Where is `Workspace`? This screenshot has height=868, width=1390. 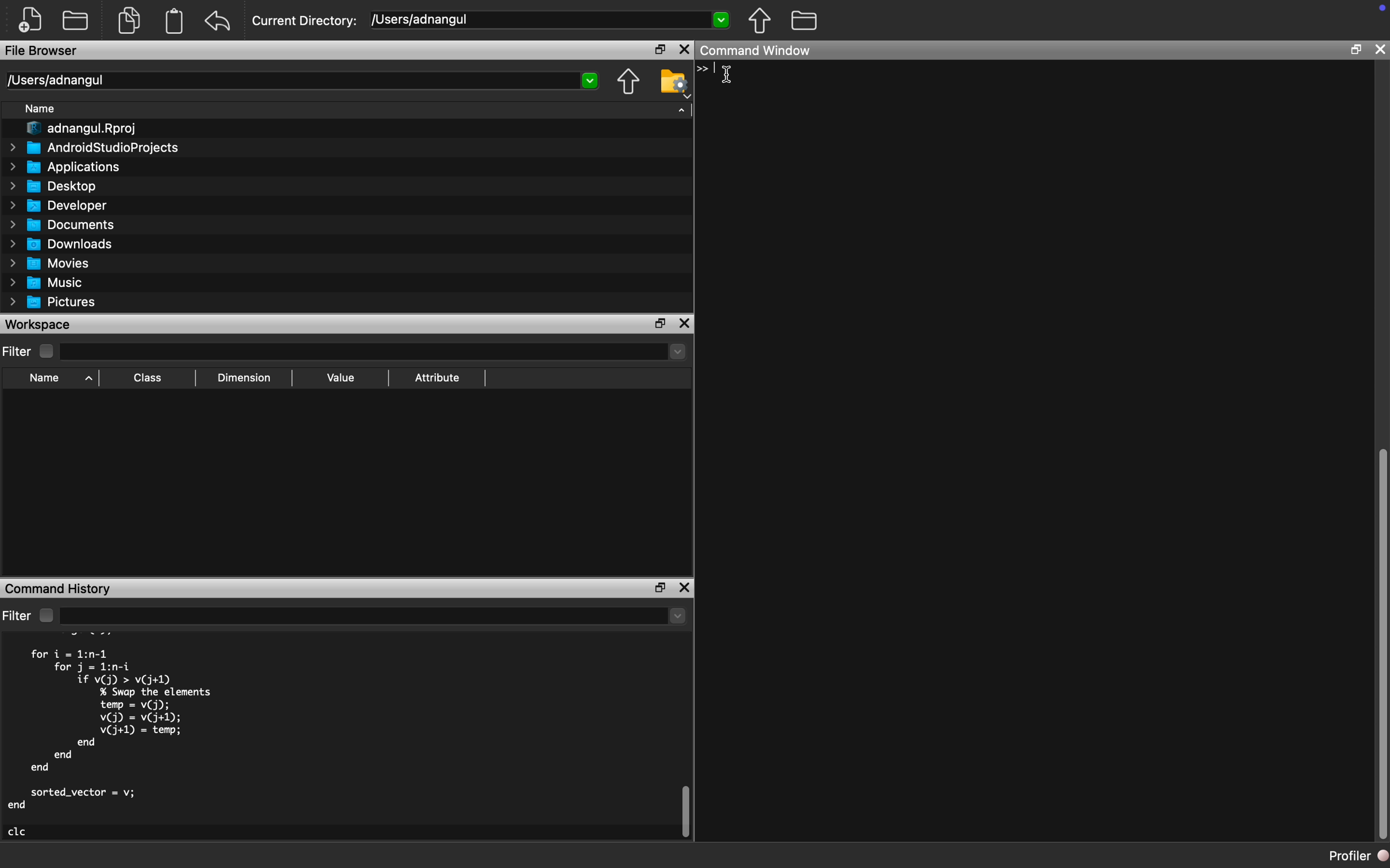
Workspace is located at coordinates (41, 324).